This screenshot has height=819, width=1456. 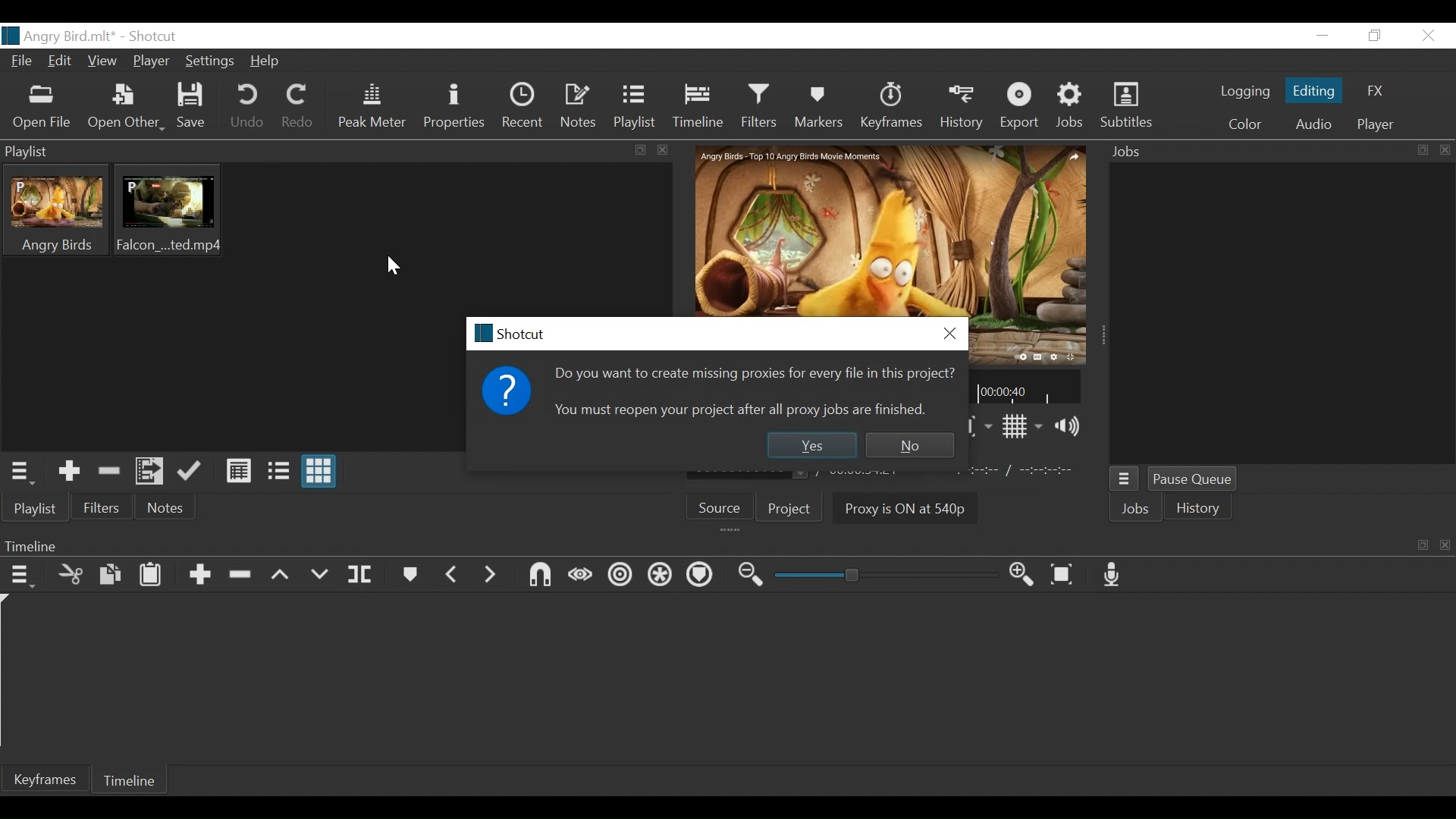 What do you see at coordinates (970, 426) in the screenshot?
I see `Toggle Zoom` at bounding box center [970, 426].